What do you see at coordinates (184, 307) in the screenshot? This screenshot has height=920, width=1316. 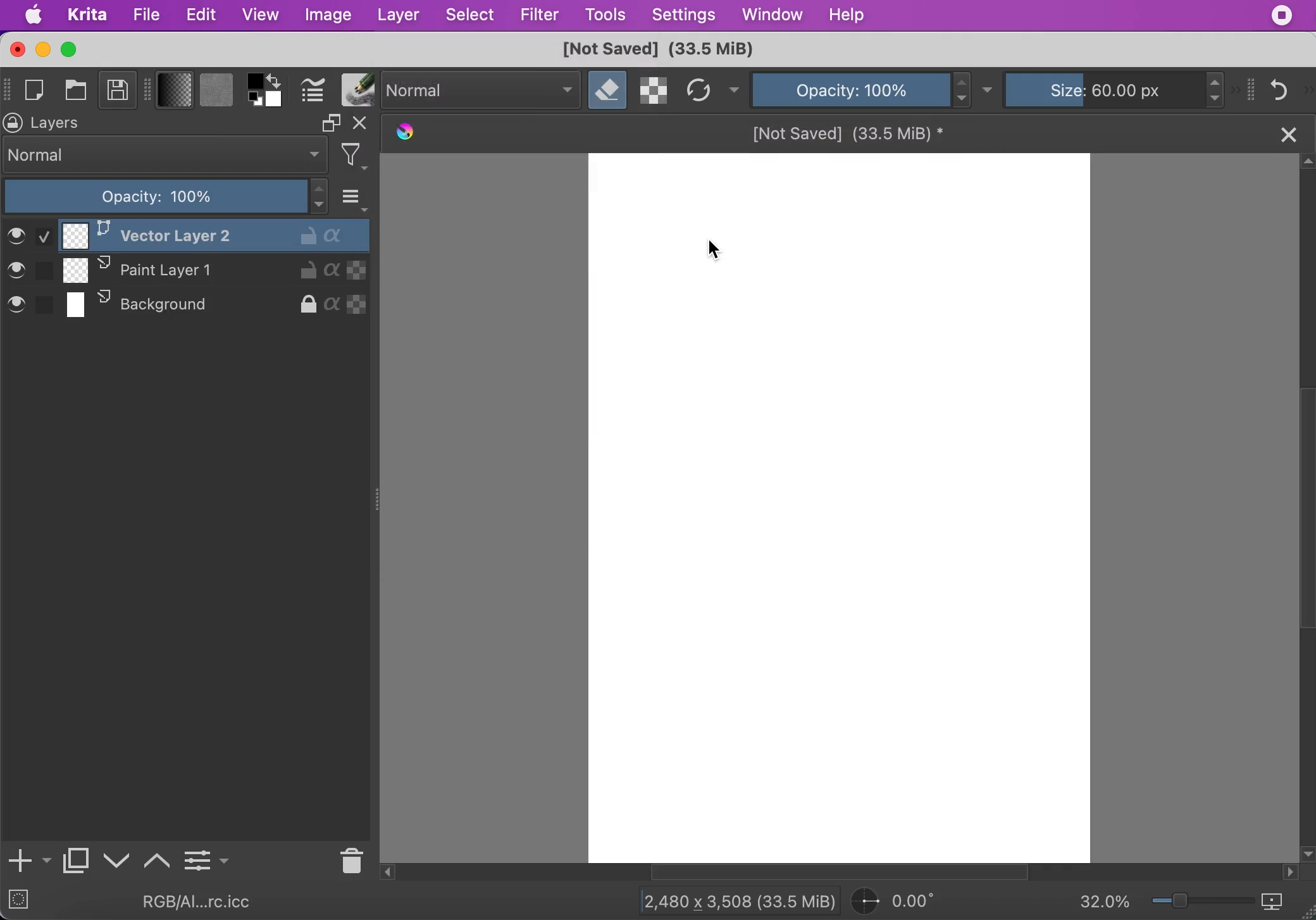 I see `background` at bounding box center [184, 307].